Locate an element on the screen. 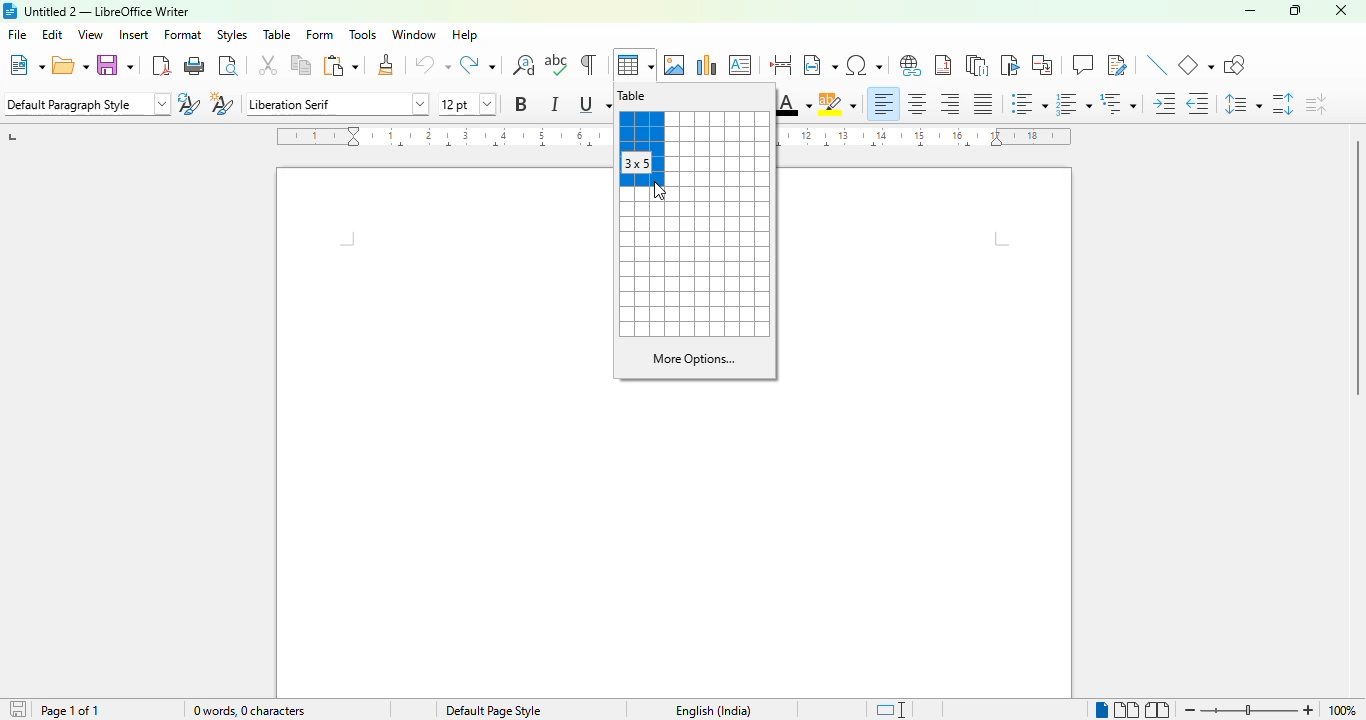  maximize is located at coordinates (1297, 10).